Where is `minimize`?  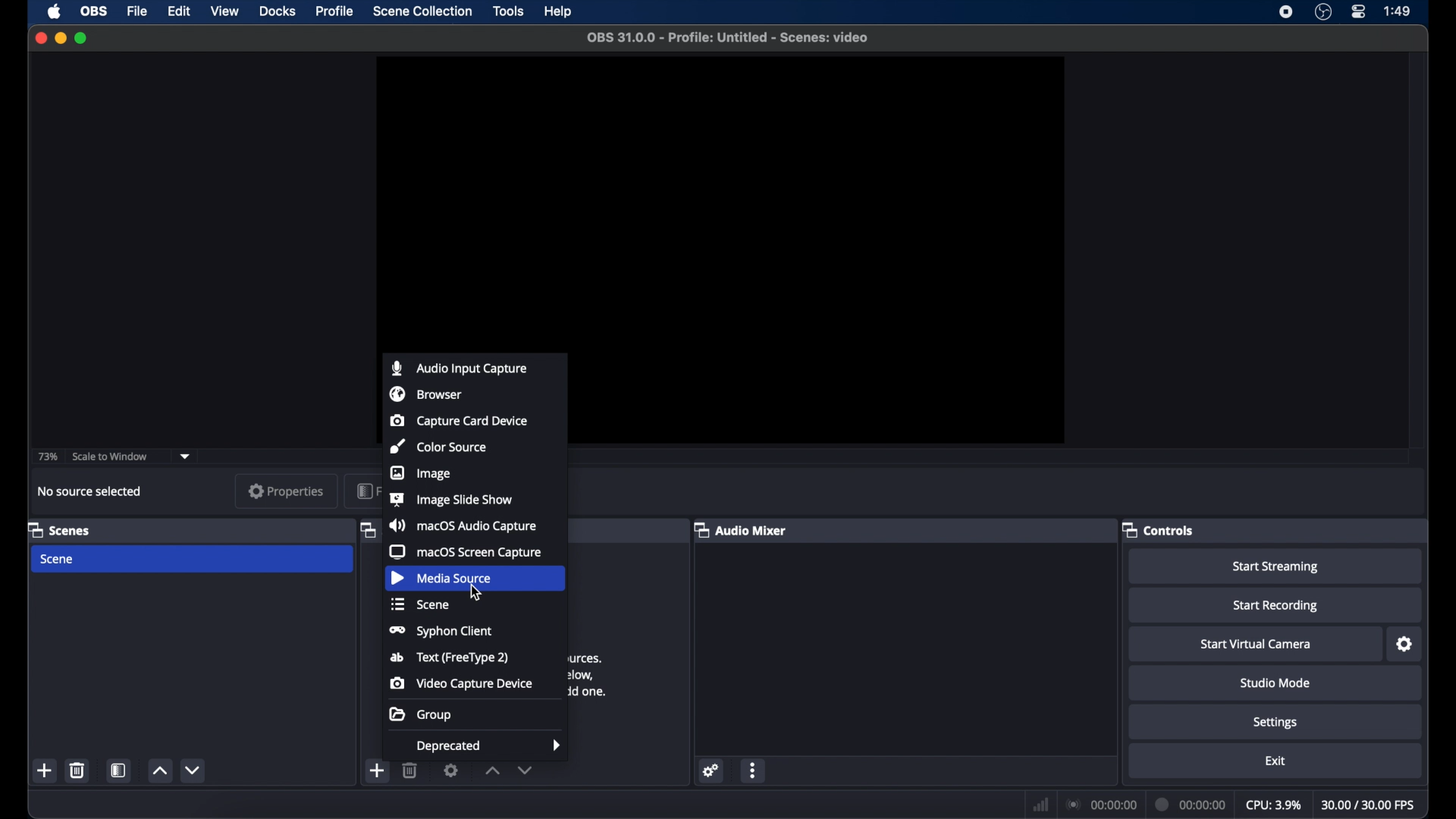 minimize is located at coordinates (61, 38).